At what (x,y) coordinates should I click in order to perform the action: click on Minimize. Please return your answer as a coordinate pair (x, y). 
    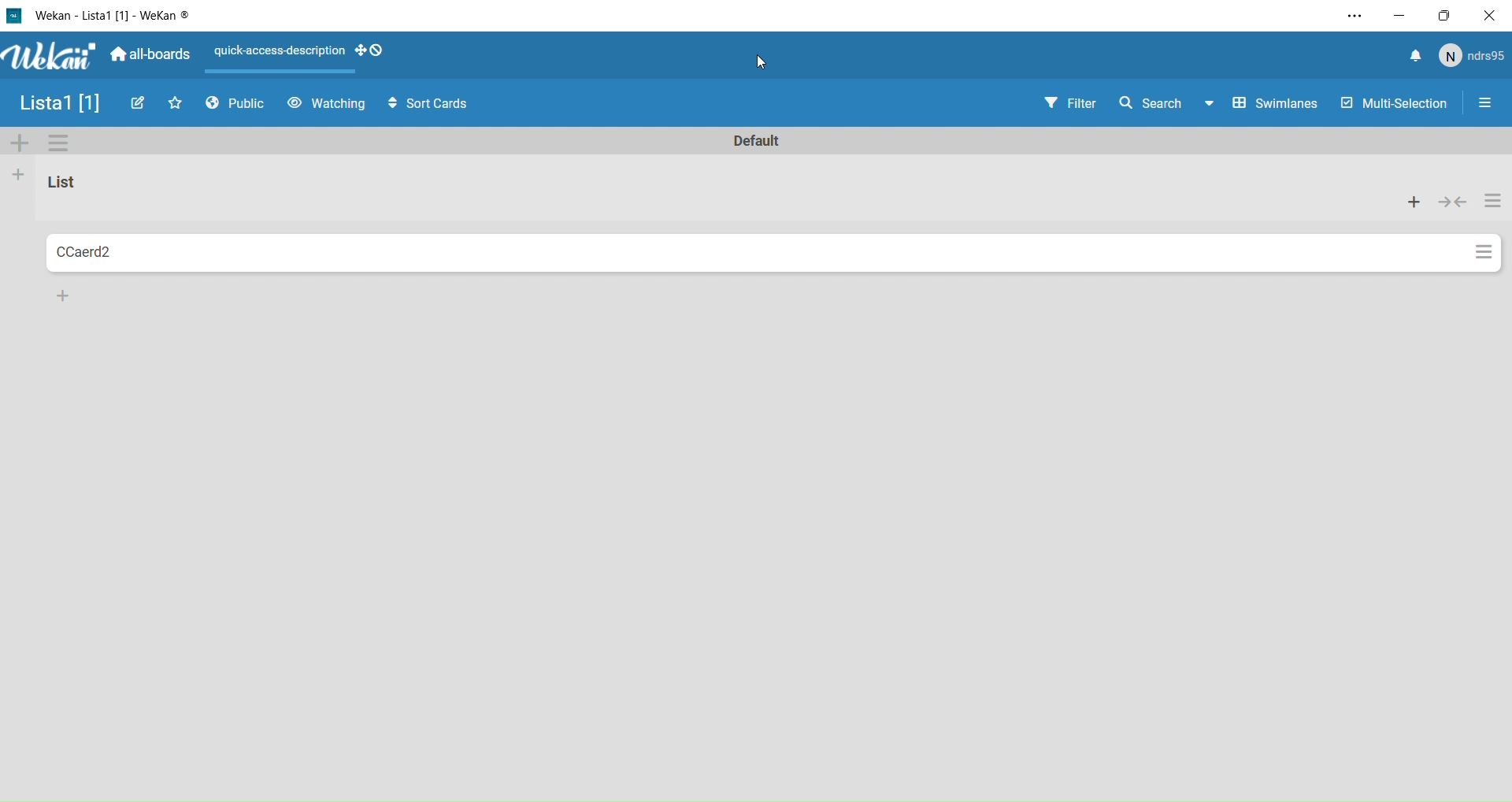
    Looking at the image, I should click on (1405, 16).